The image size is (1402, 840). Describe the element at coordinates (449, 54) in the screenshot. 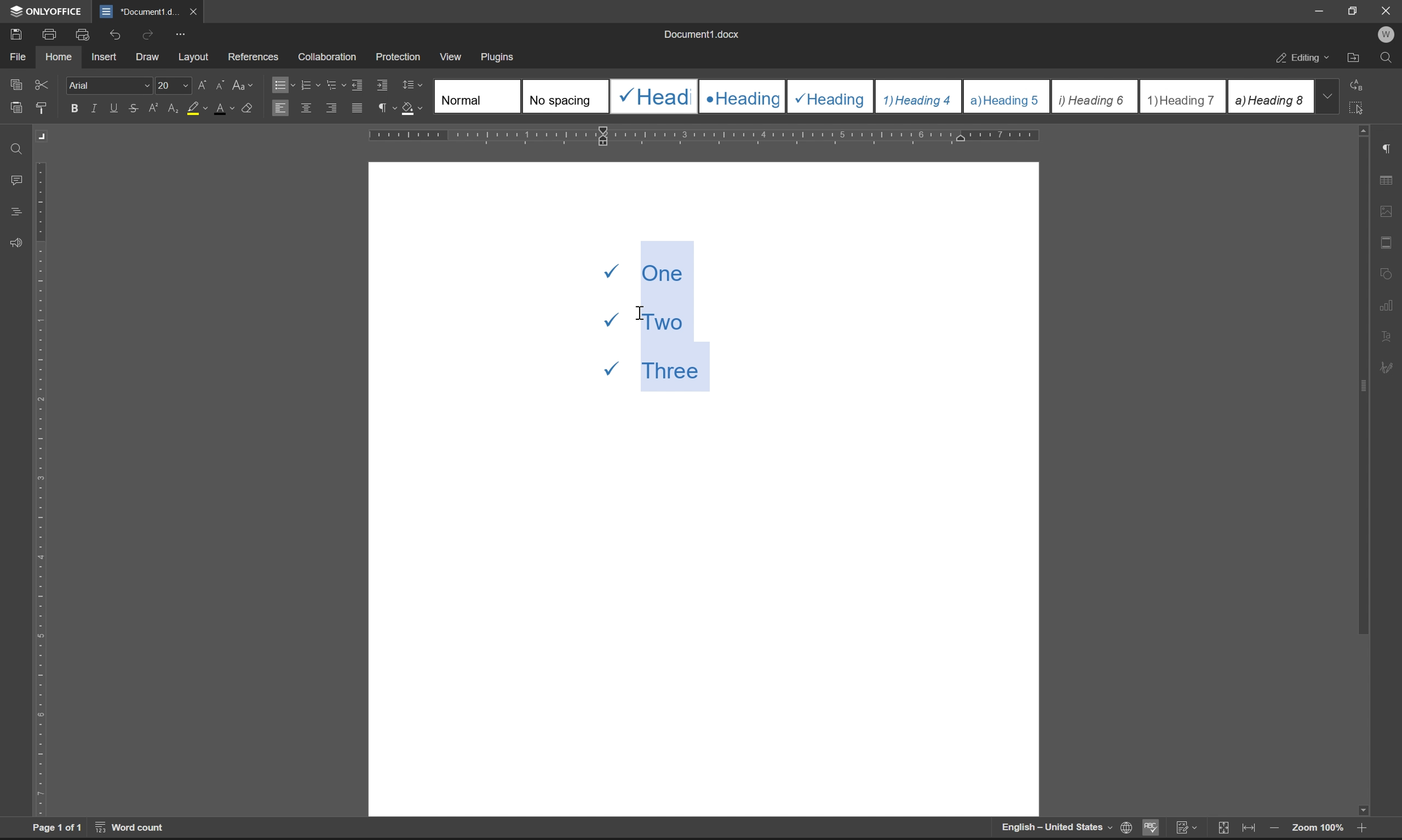

I see `view` at that location.